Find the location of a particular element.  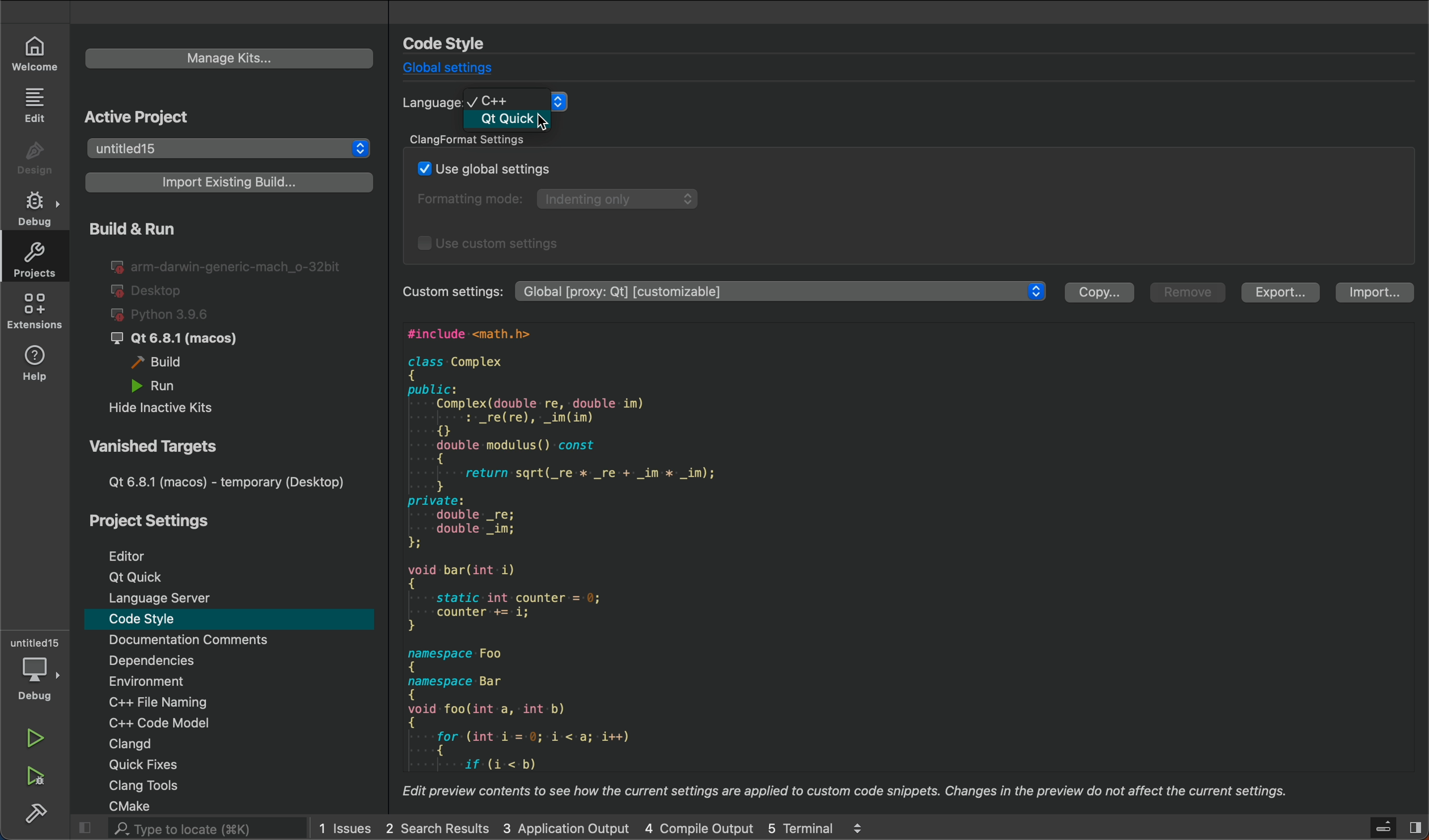

debugger is located at coordinates (35, 668).